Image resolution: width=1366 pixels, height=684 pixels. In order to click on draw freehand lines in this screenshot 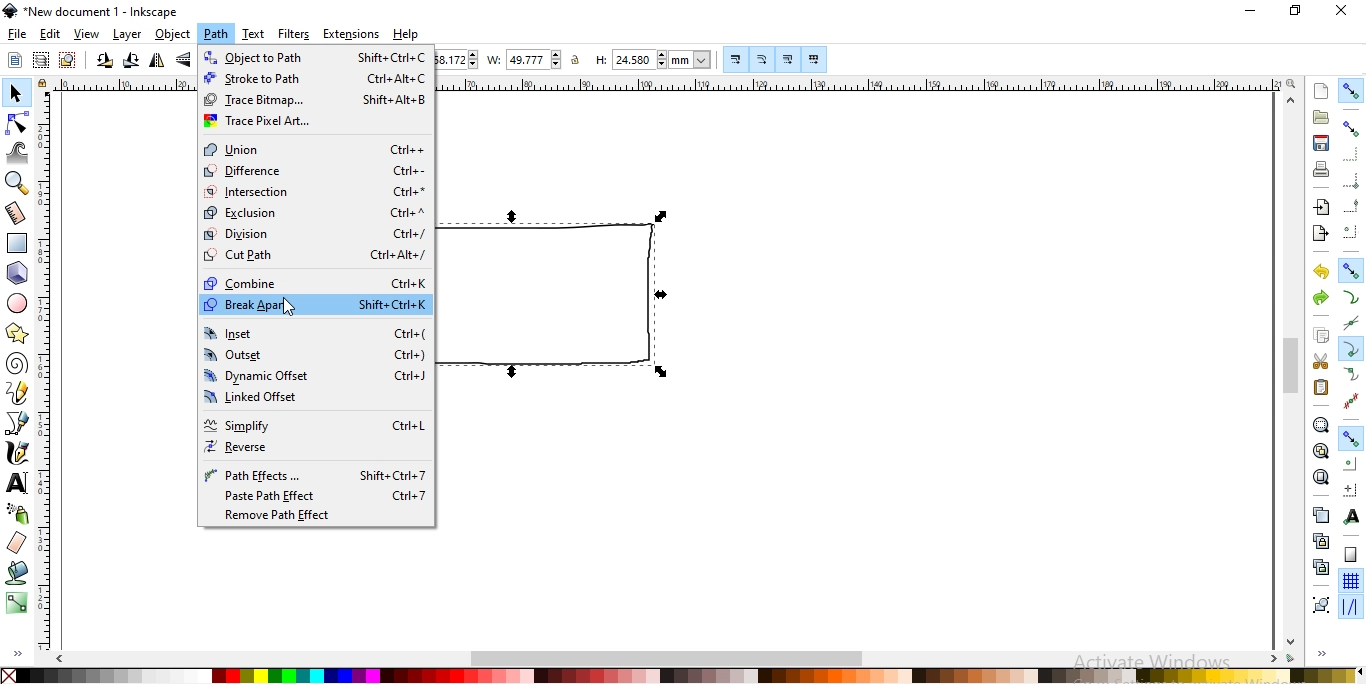, I will do `click(20, 393)`.